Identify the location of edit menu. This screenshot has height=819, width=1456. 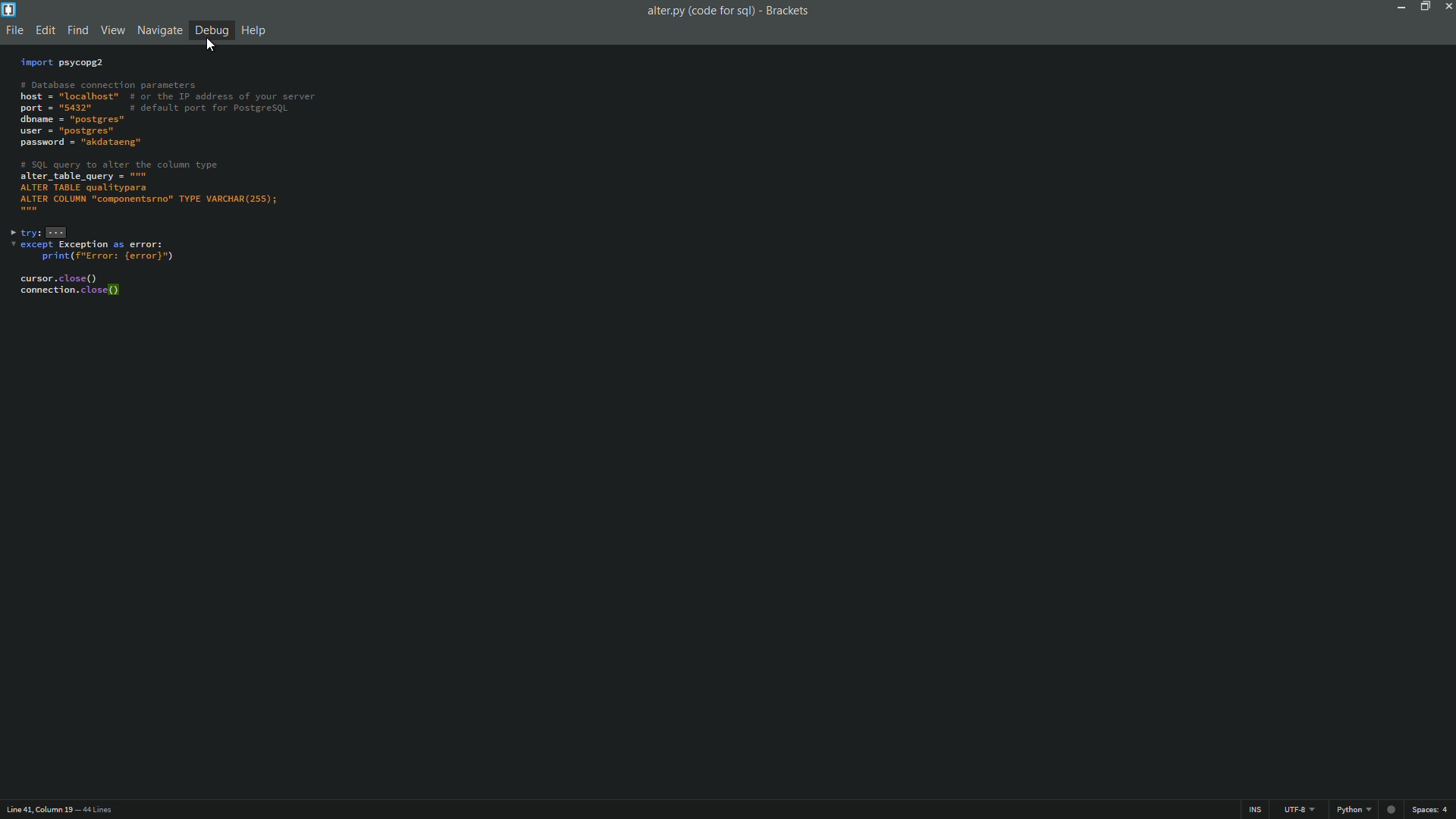
(45, 30).